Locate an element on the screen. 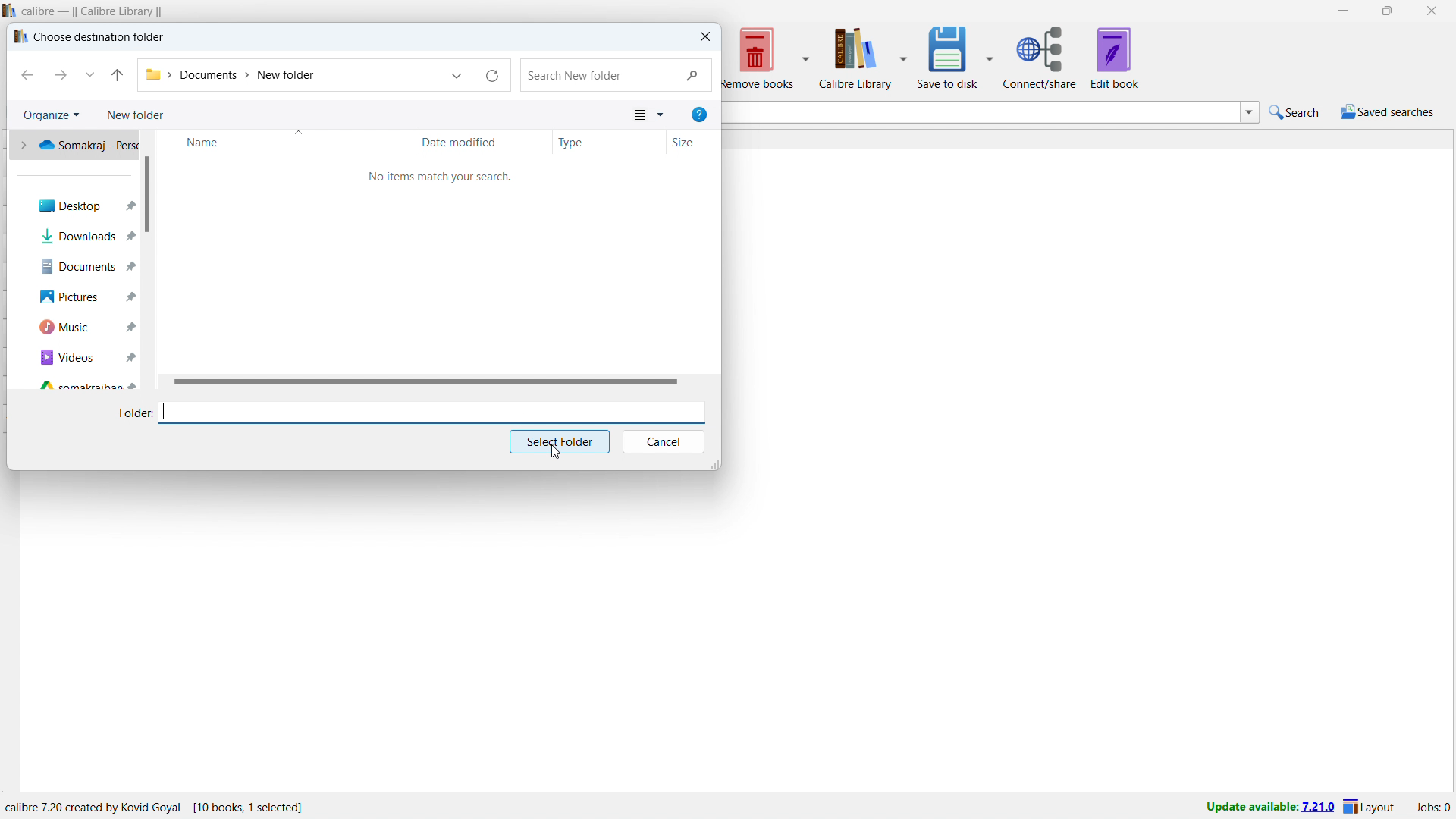 The width and height of the screenshot is (1456, 819). next folder is located at coordinates (61, 74).